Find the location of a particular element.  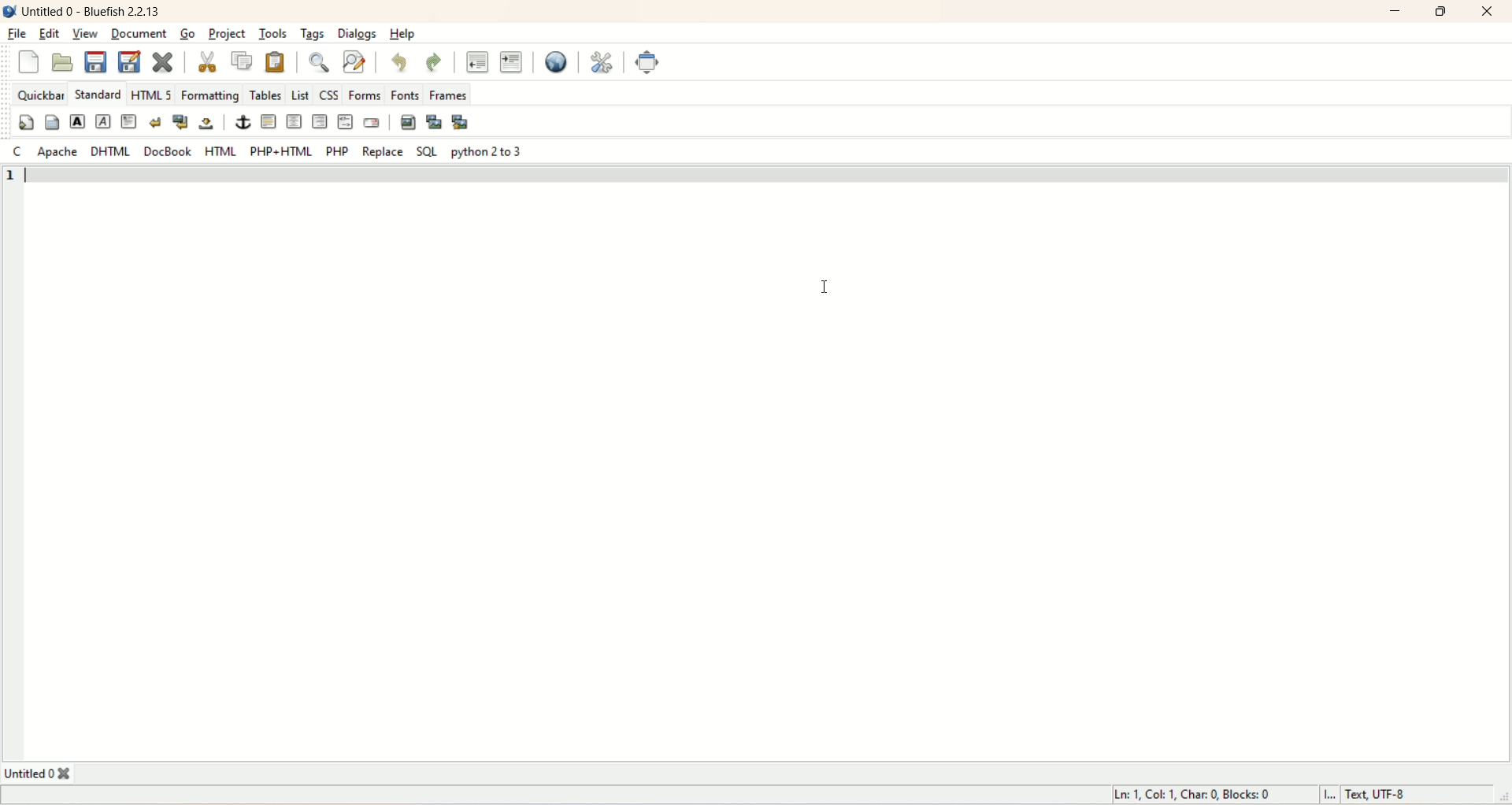

LIST is located at coordinates (300, 93).